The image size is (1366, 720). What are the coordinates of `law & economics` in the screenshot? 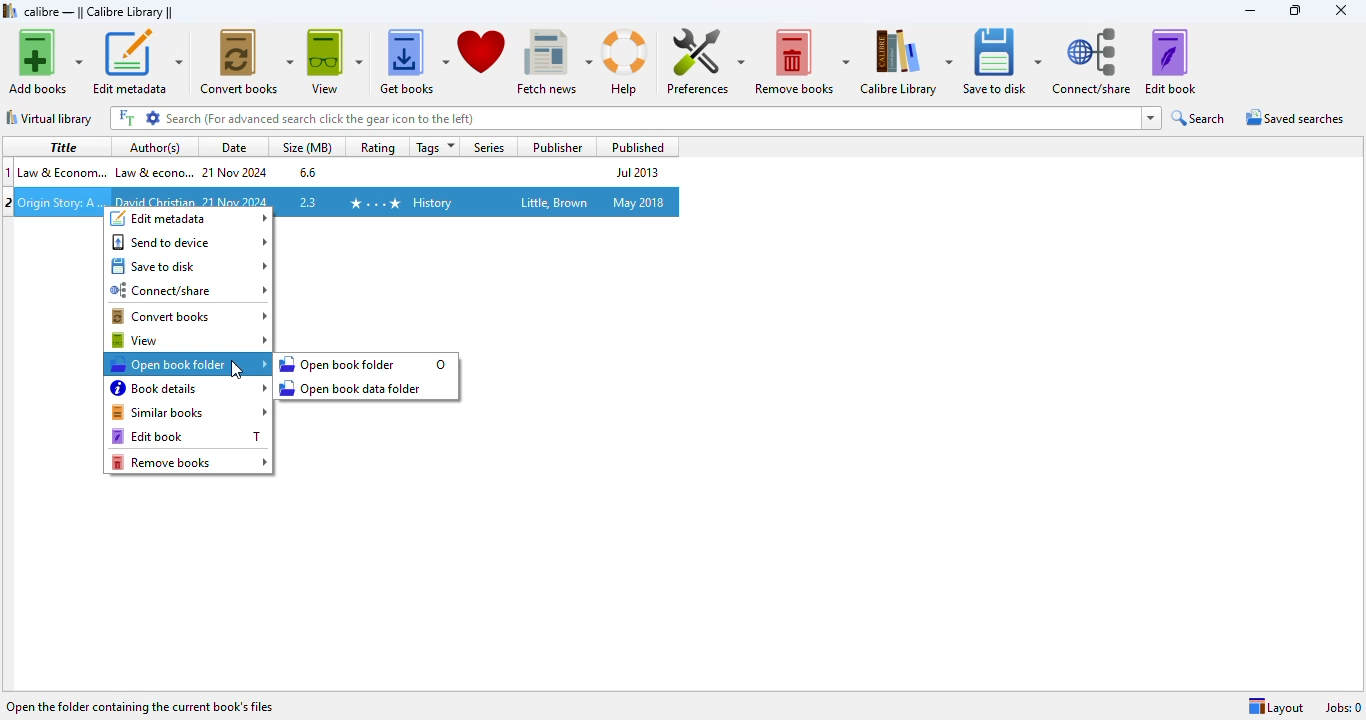 It's located at (153, 171).